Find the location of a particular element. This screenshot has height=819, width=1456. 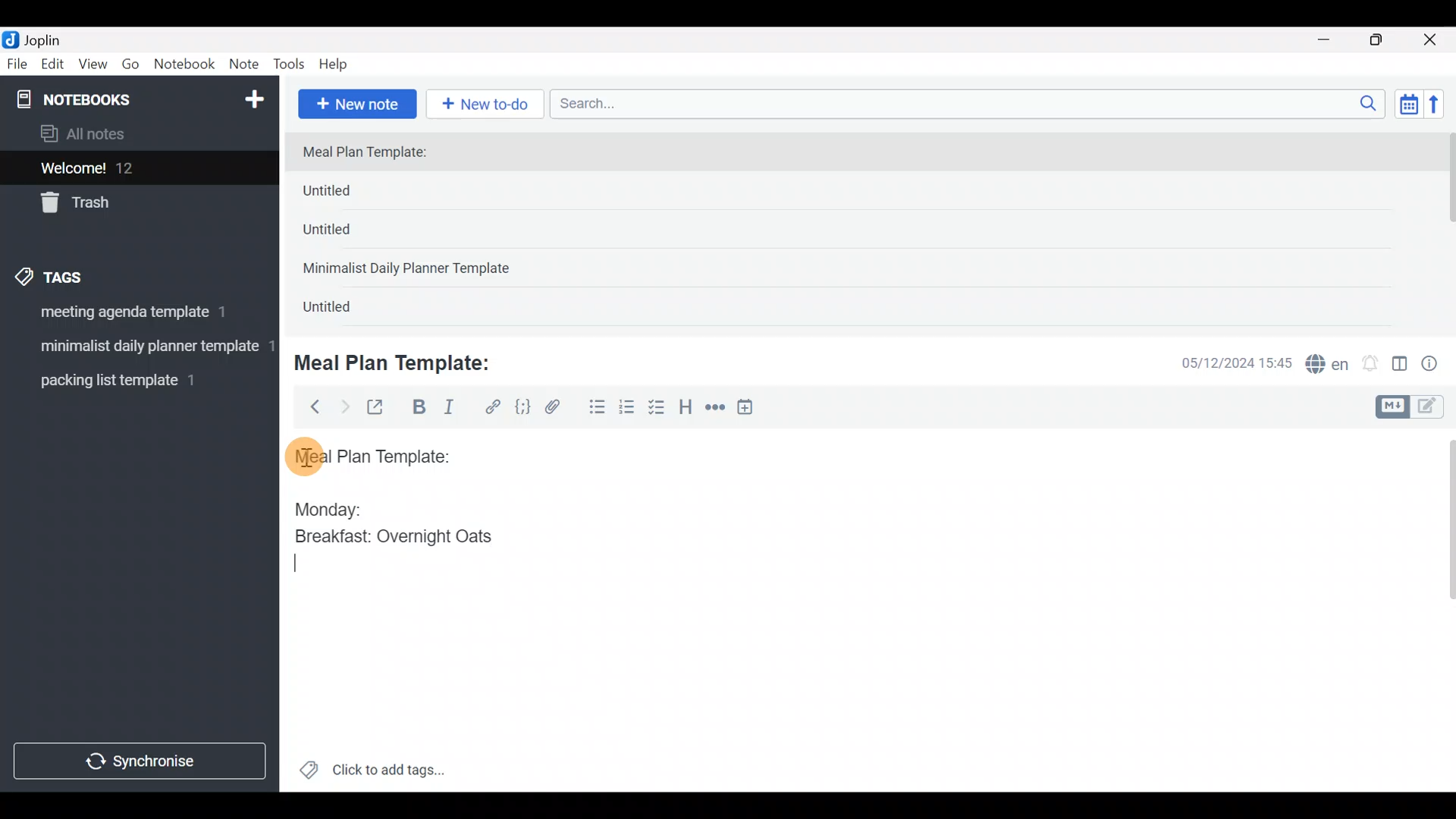

Close is located at coordinates (1432, 41).